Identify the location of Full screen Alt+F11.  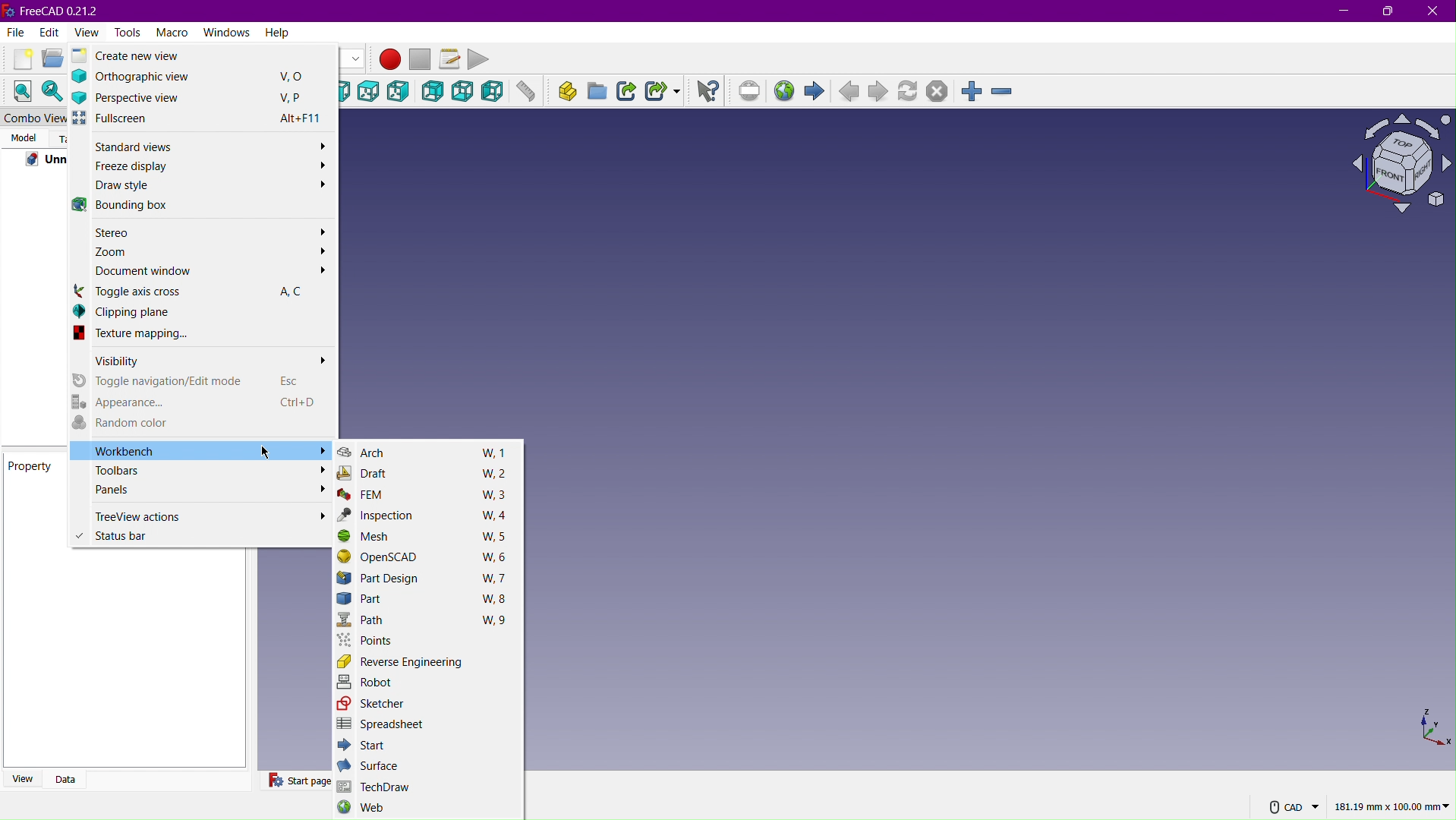
(196, 120).